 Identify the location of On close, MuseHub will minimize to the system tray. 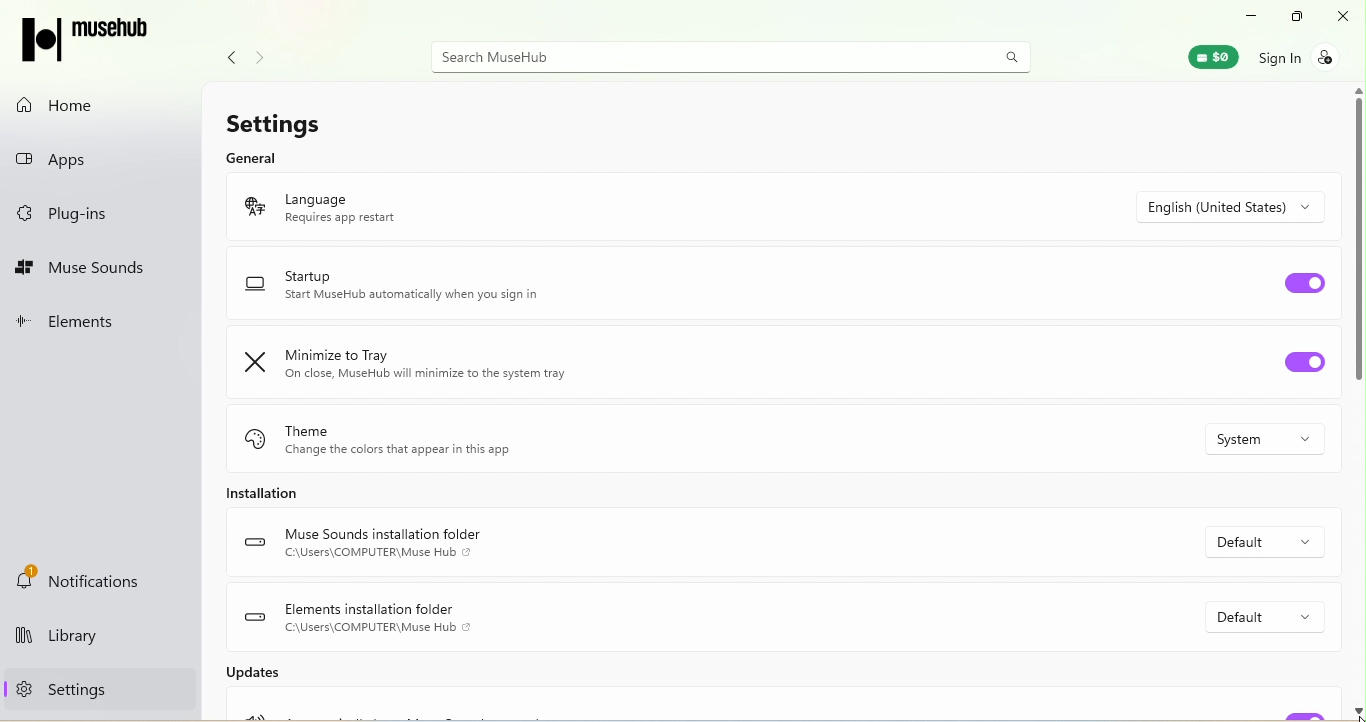
(425, 375).